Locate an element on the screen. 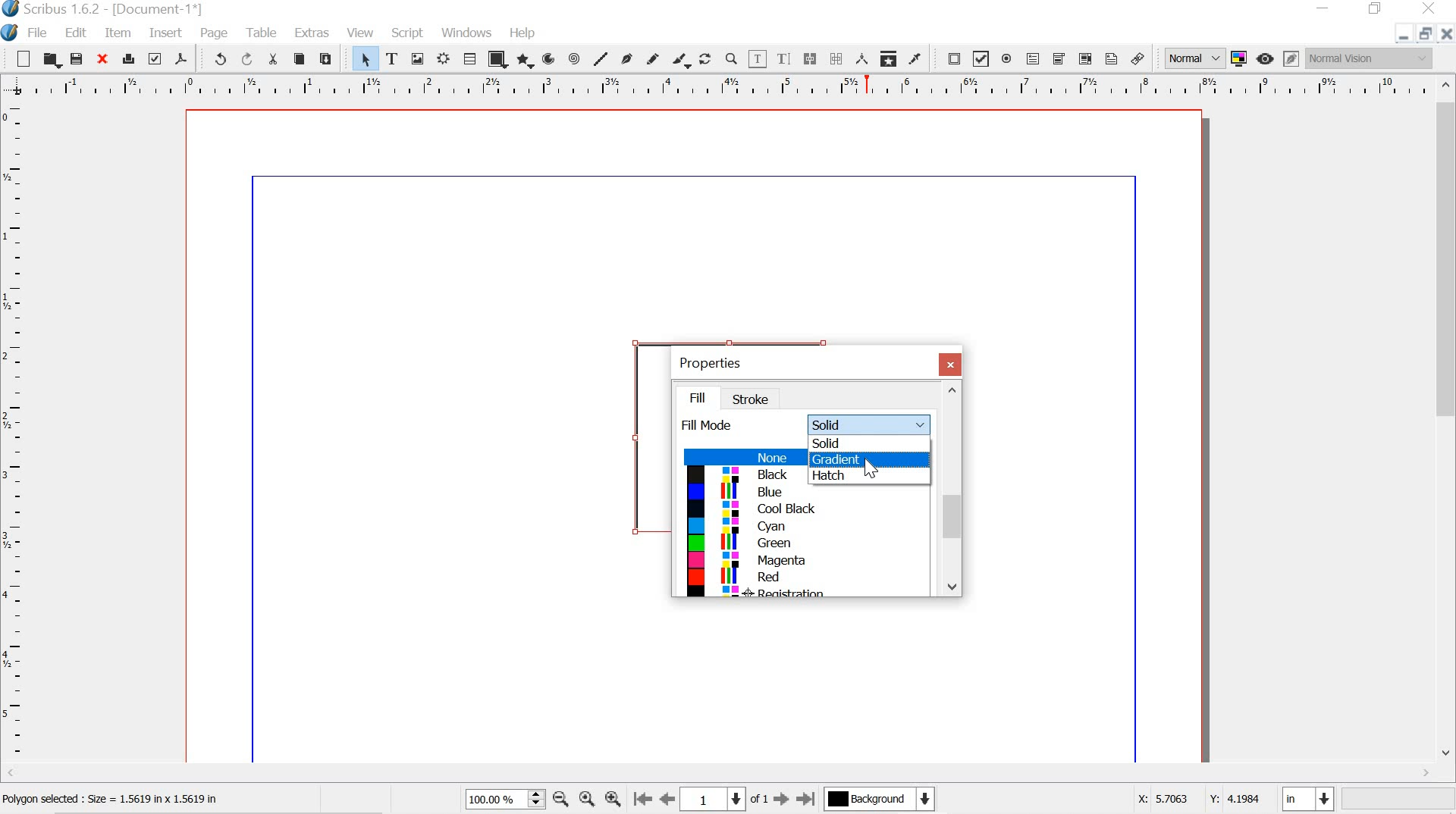 Image resolution: width=1456 pixels, height=814 pixels. solid is located at coordinates (868, 443).